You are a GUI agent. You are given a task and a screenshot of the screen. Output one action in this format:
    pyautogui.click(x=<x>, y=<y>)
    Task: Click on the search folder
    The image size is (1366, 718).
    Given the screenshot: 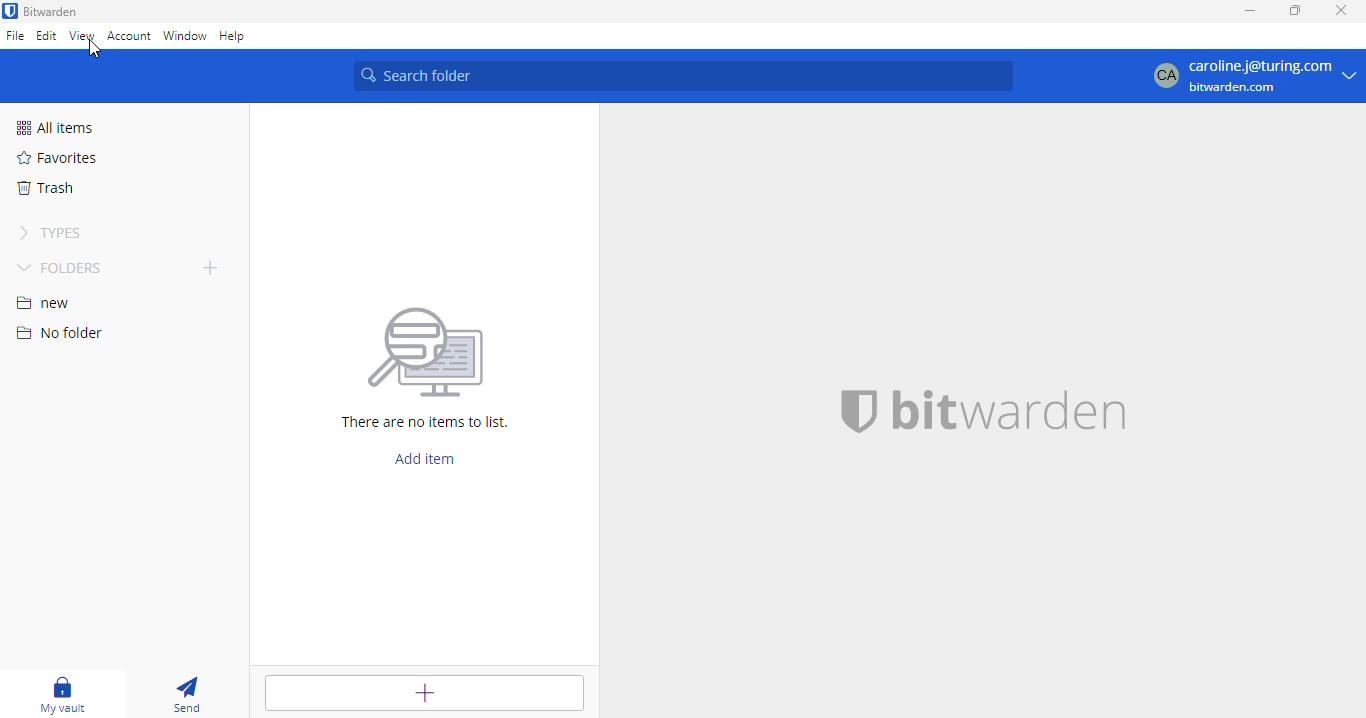 What is the action you would take?
    pyautogui.click(x=686, y=76)
    